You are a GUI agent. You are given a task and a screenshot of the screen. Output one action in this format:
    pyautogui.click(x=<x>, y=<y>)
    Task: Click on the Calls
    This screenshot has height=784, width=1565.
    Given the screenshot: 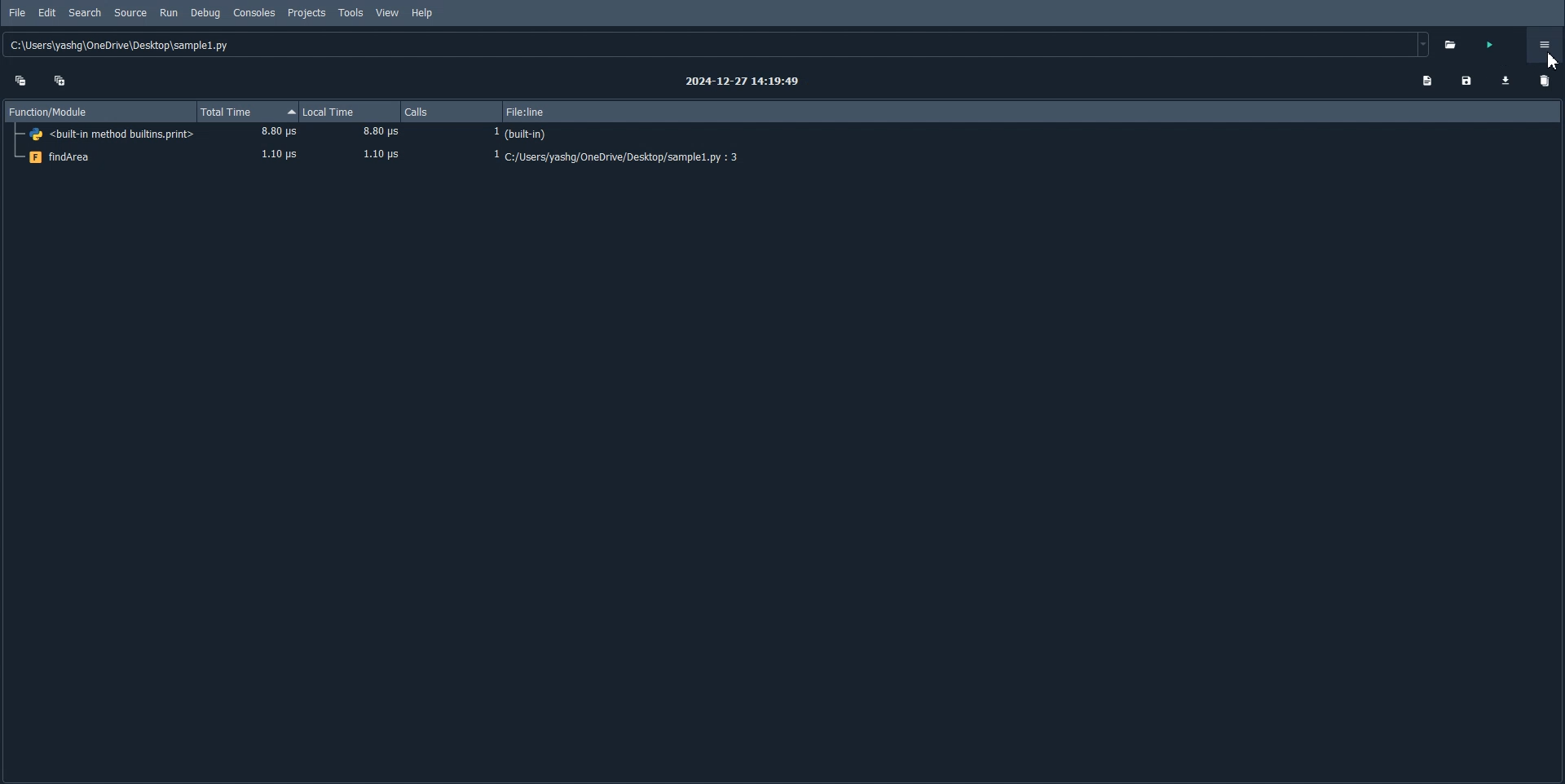 What is the action you would take?
    pyautogui.click(x=453, y=112)
    